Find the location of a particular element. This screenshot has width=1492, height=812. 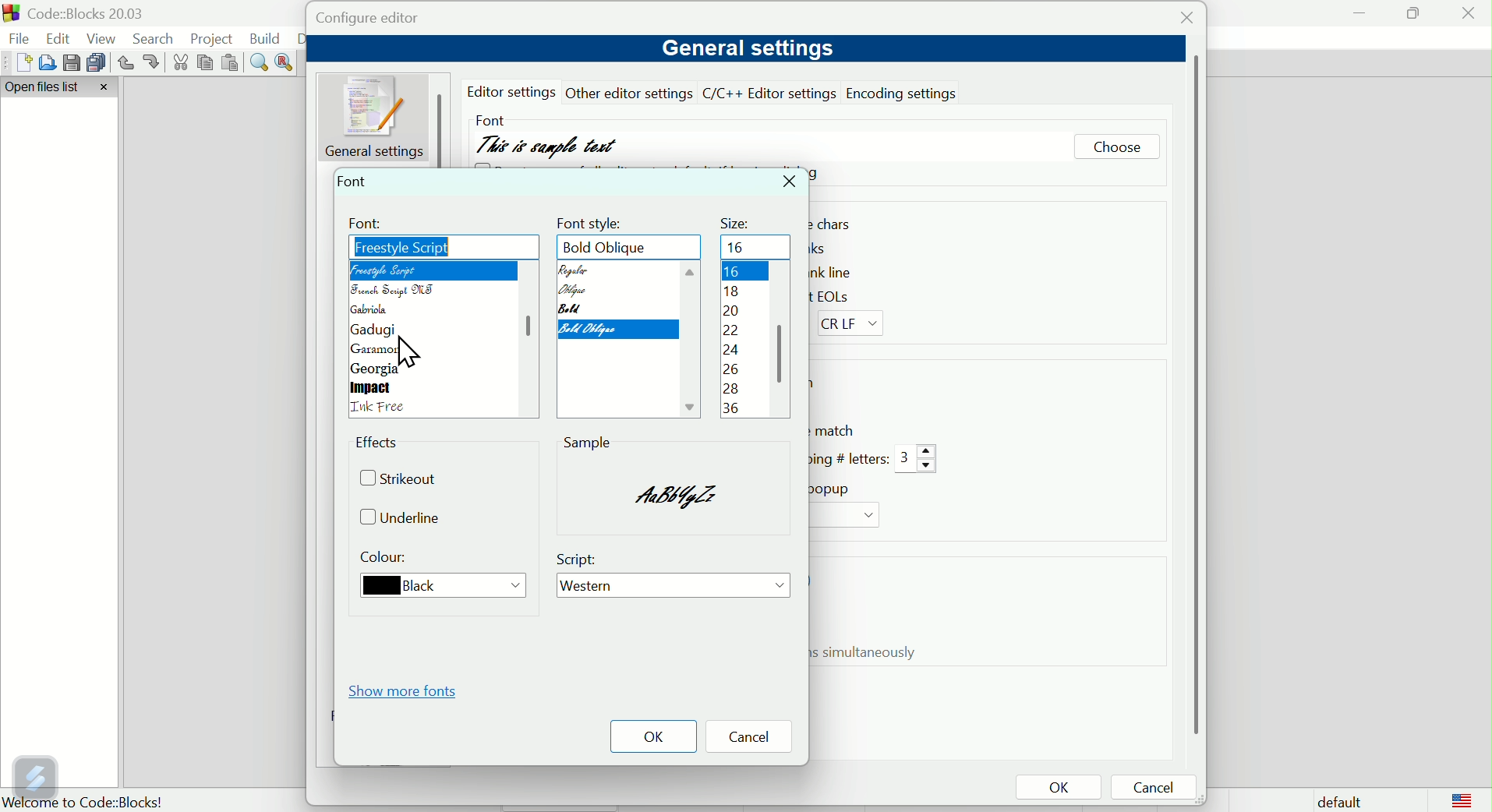

Drop down is located at coordinates (843, 517).